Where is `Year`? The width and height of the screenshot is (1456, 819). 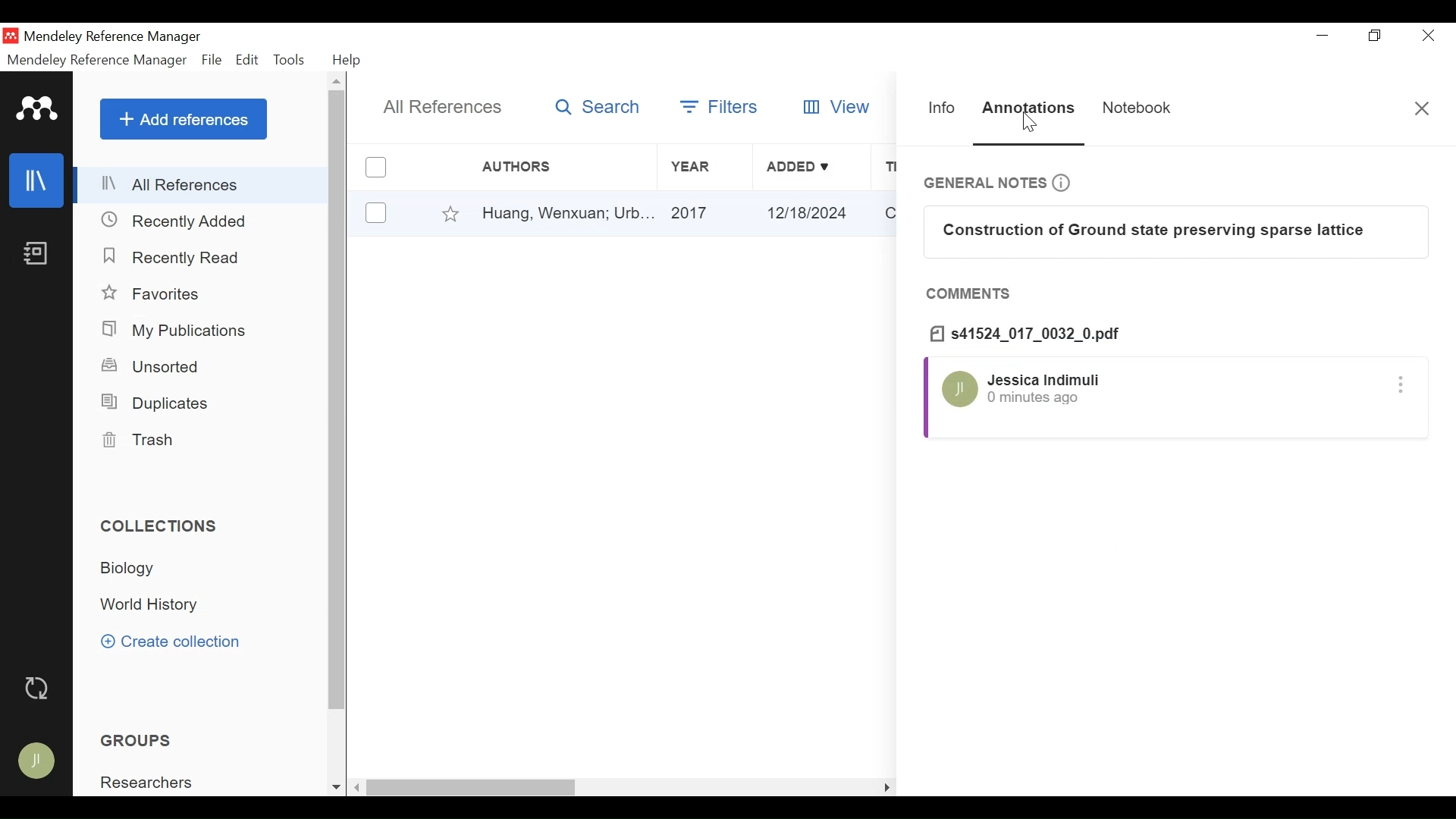
Year is located at coordinates (706, 168).